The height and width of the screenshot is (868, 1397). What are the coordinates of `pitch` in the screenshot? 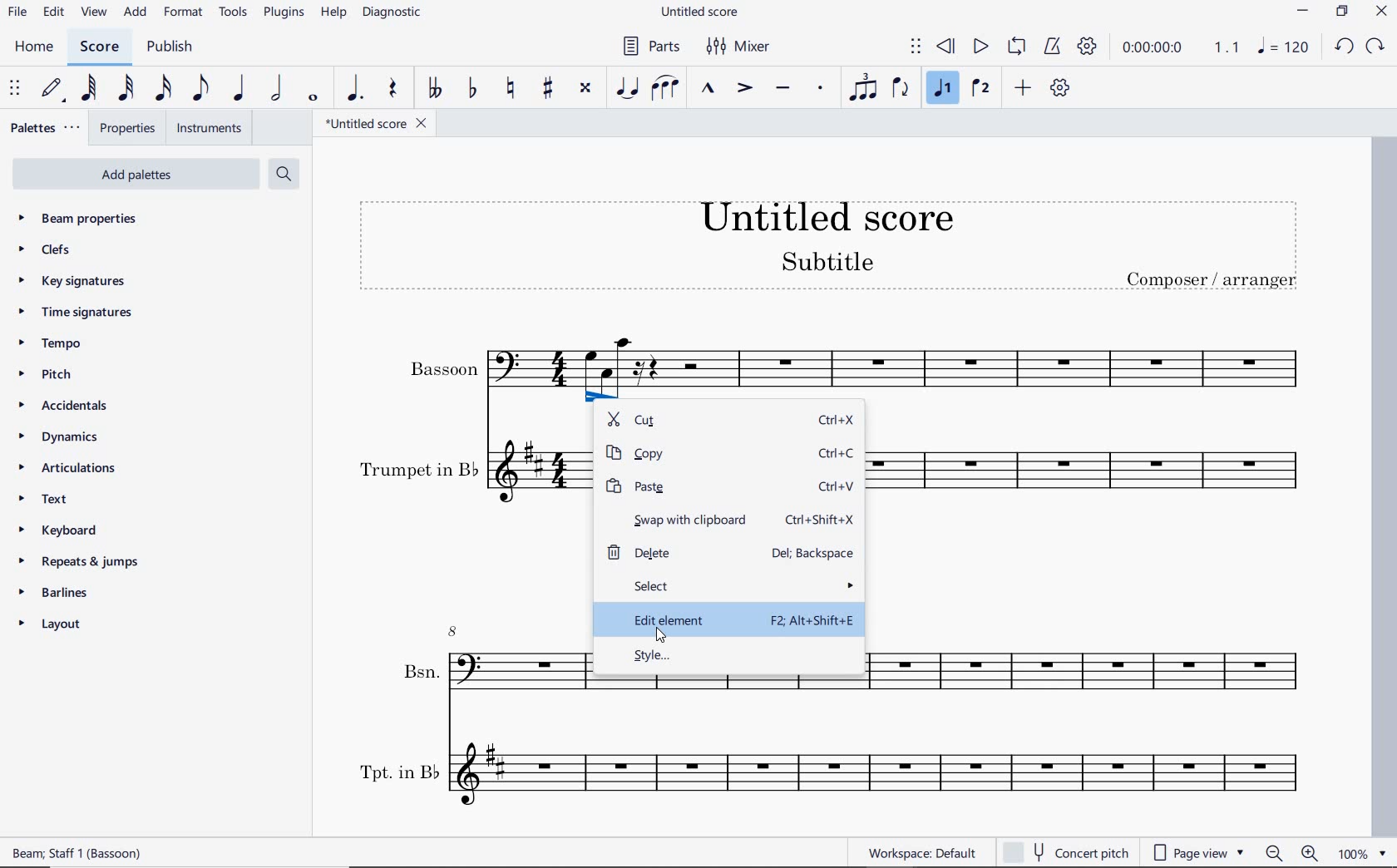 It's located at (48, 374).